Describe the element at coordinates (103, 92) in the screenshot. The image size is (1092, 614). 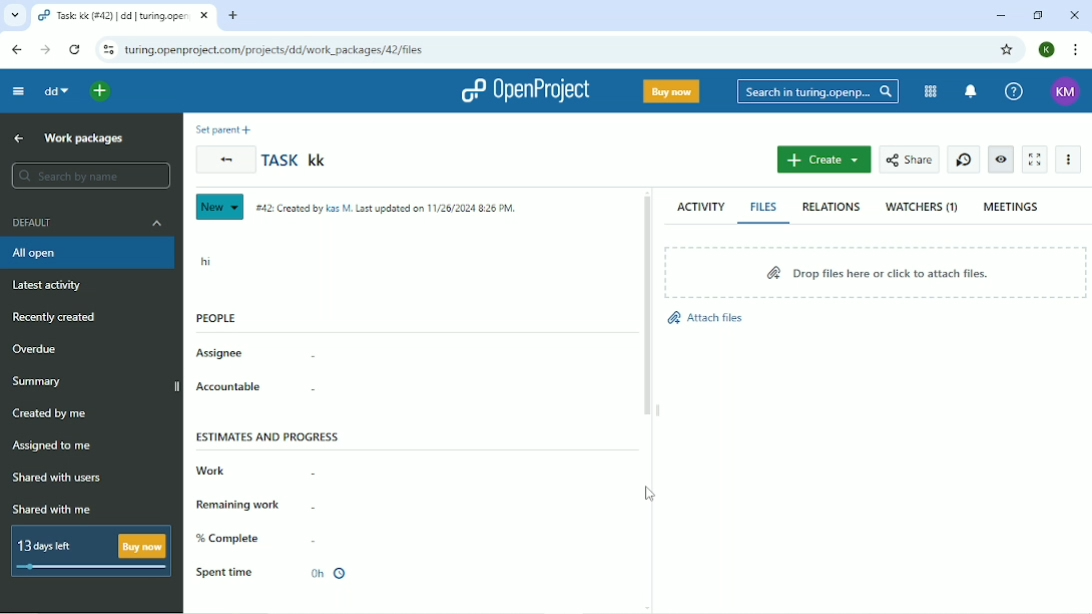
I see `Open quick add menu` at that location.